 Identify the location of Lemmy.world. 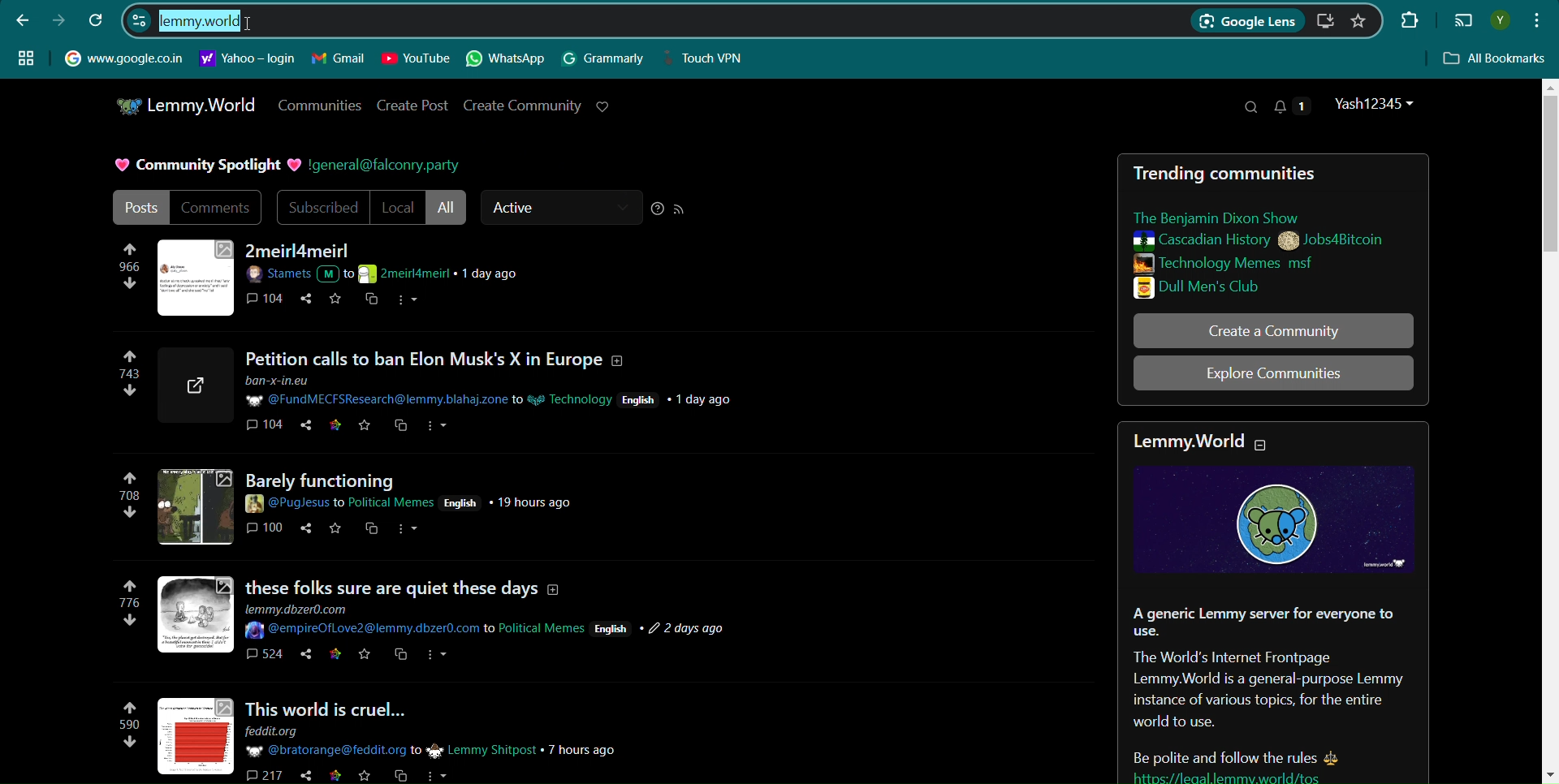
(1187, 443).